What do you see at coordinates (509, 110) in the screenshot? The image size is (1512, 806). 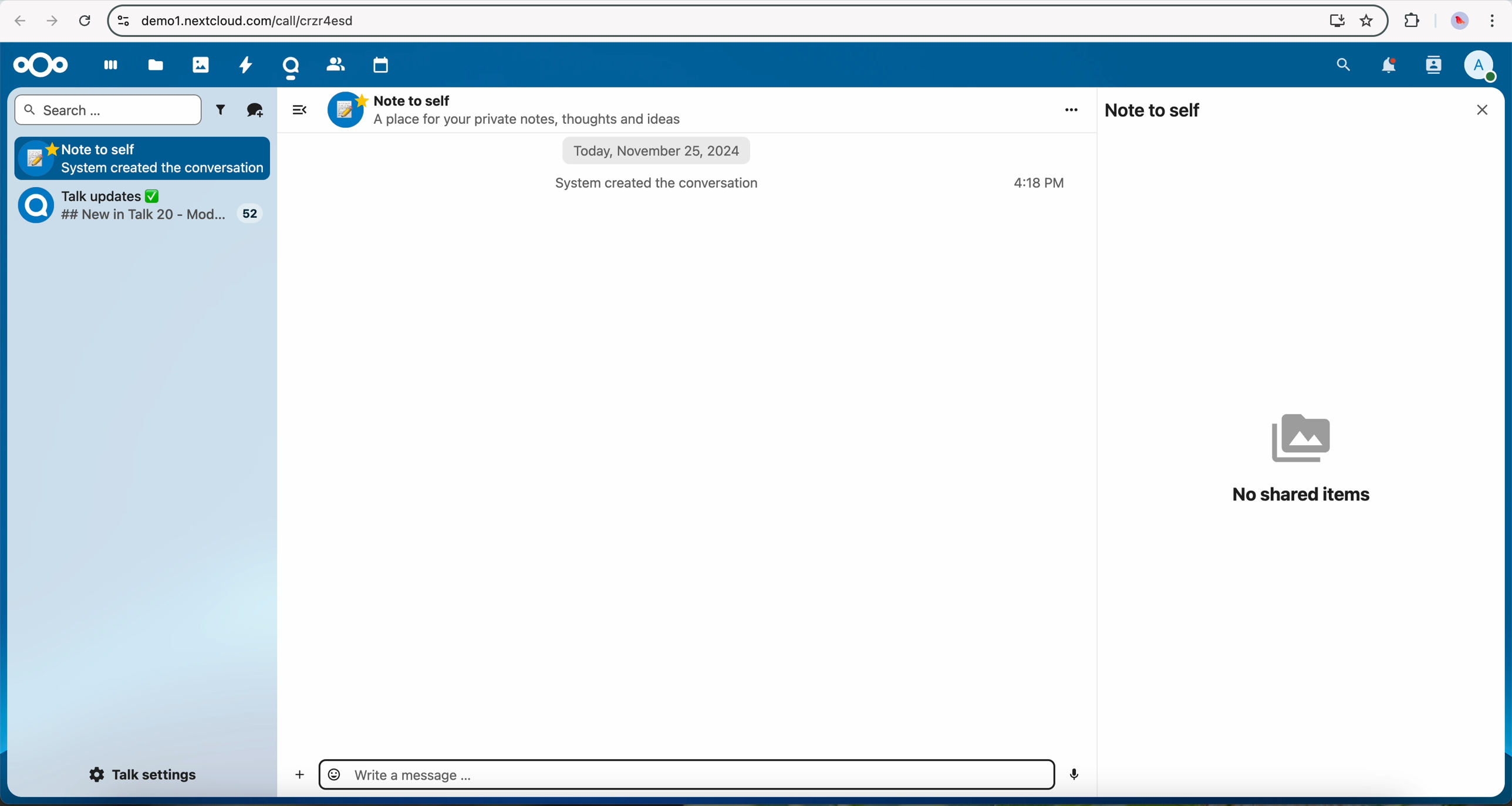 I see `Note to self` at bounding box center [509, 110].